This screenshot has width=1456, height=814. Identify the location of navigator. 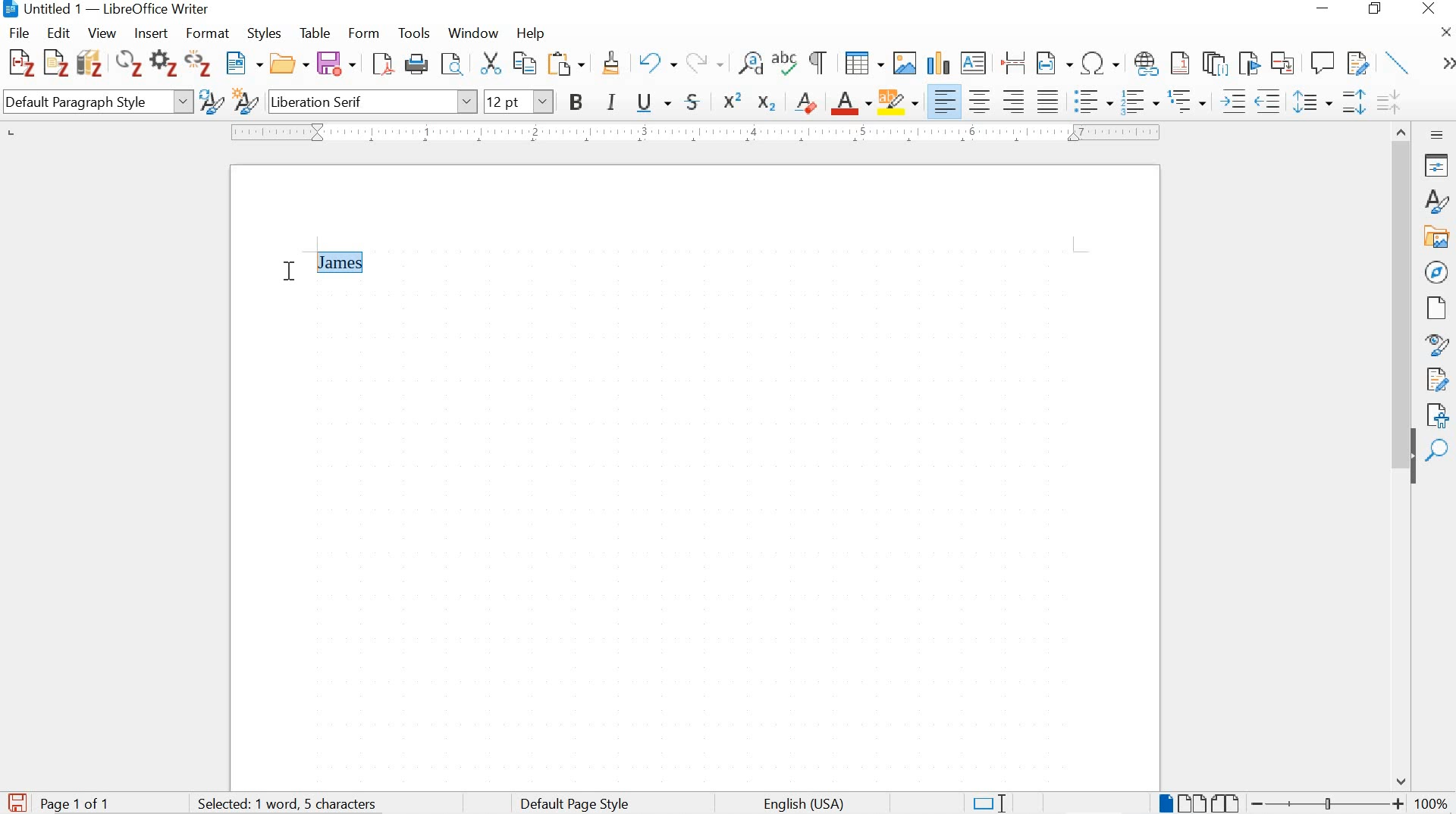
(1436, 271).